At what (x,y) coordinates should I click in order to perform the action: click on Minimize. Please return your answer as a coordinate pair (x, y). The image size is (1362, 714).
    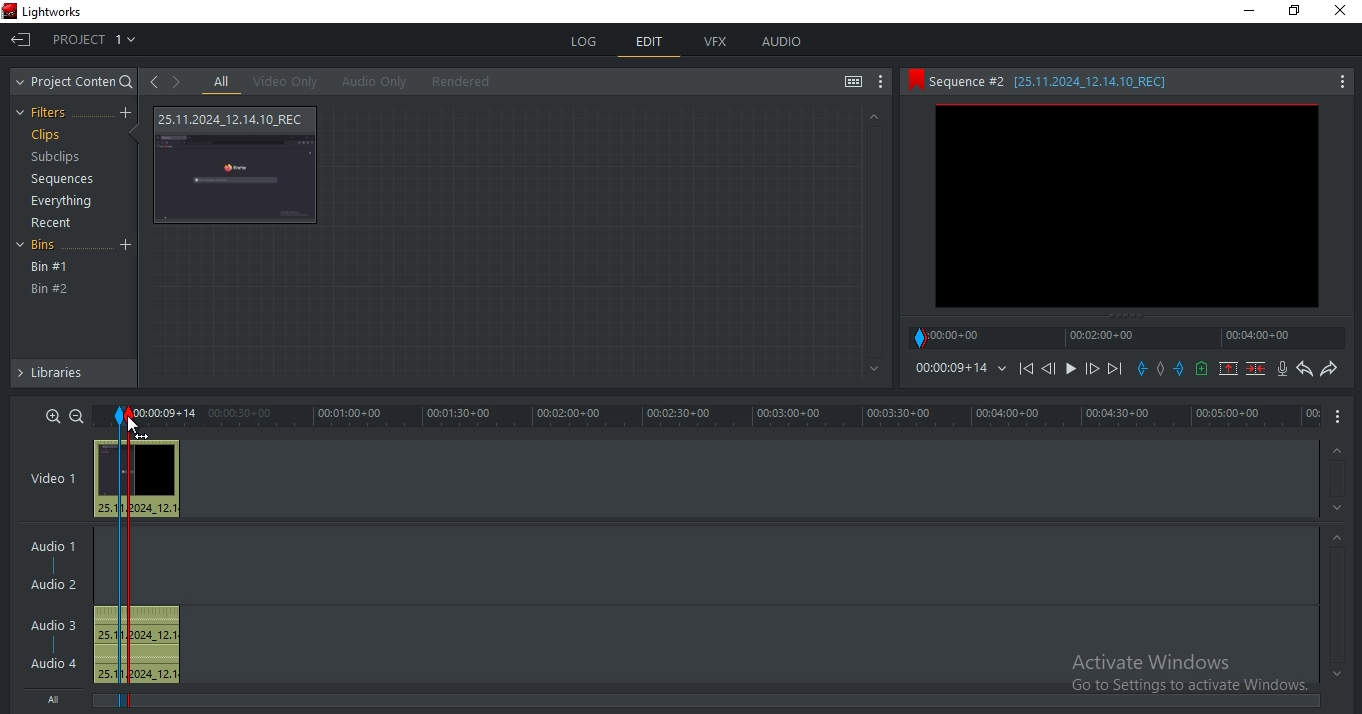
    Looking at the image, I should click on (1246, 12).